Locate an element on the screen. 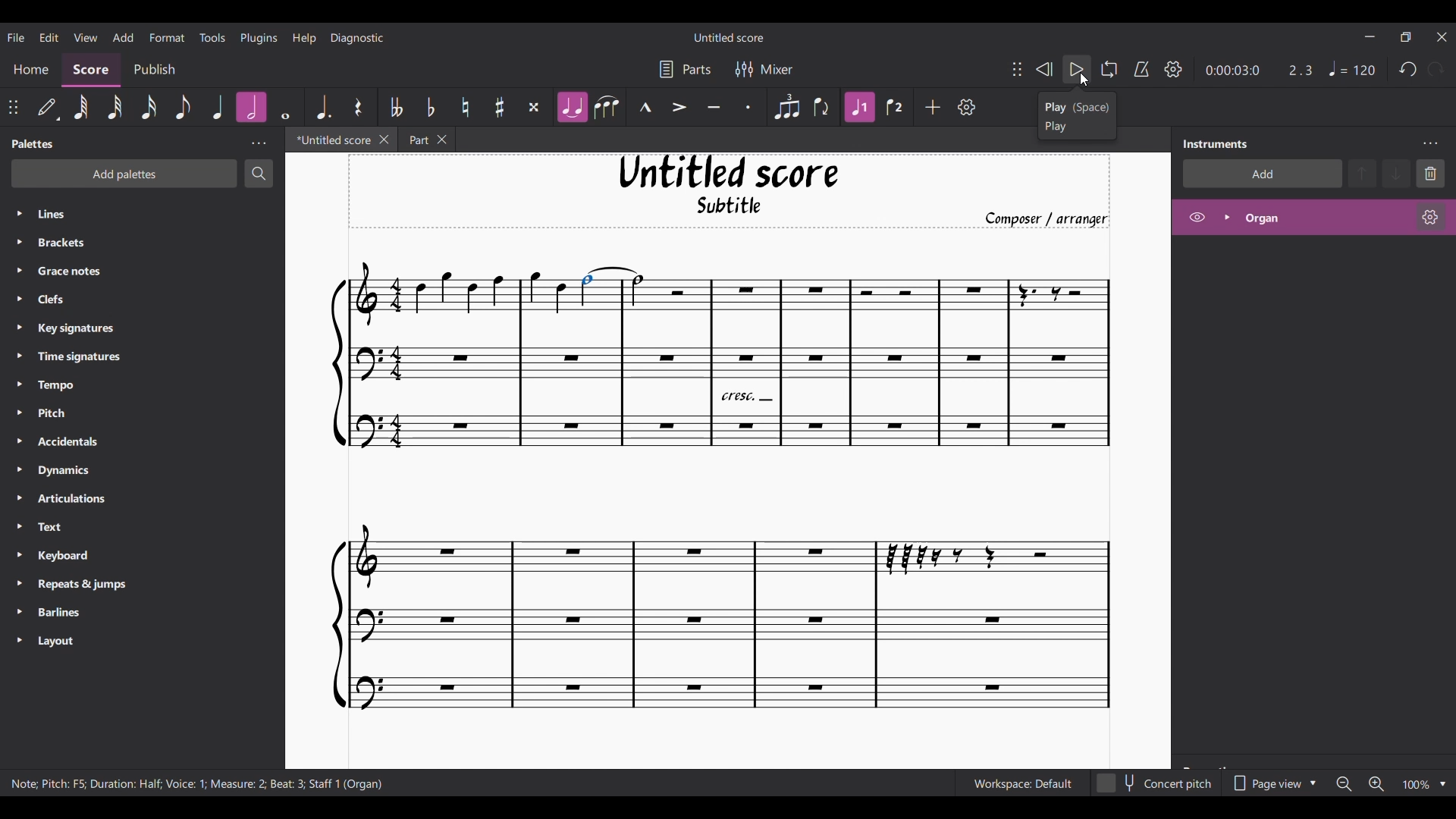 This screenshot has width=1456, height=819. Add palette is located at coordinates (144, 175).